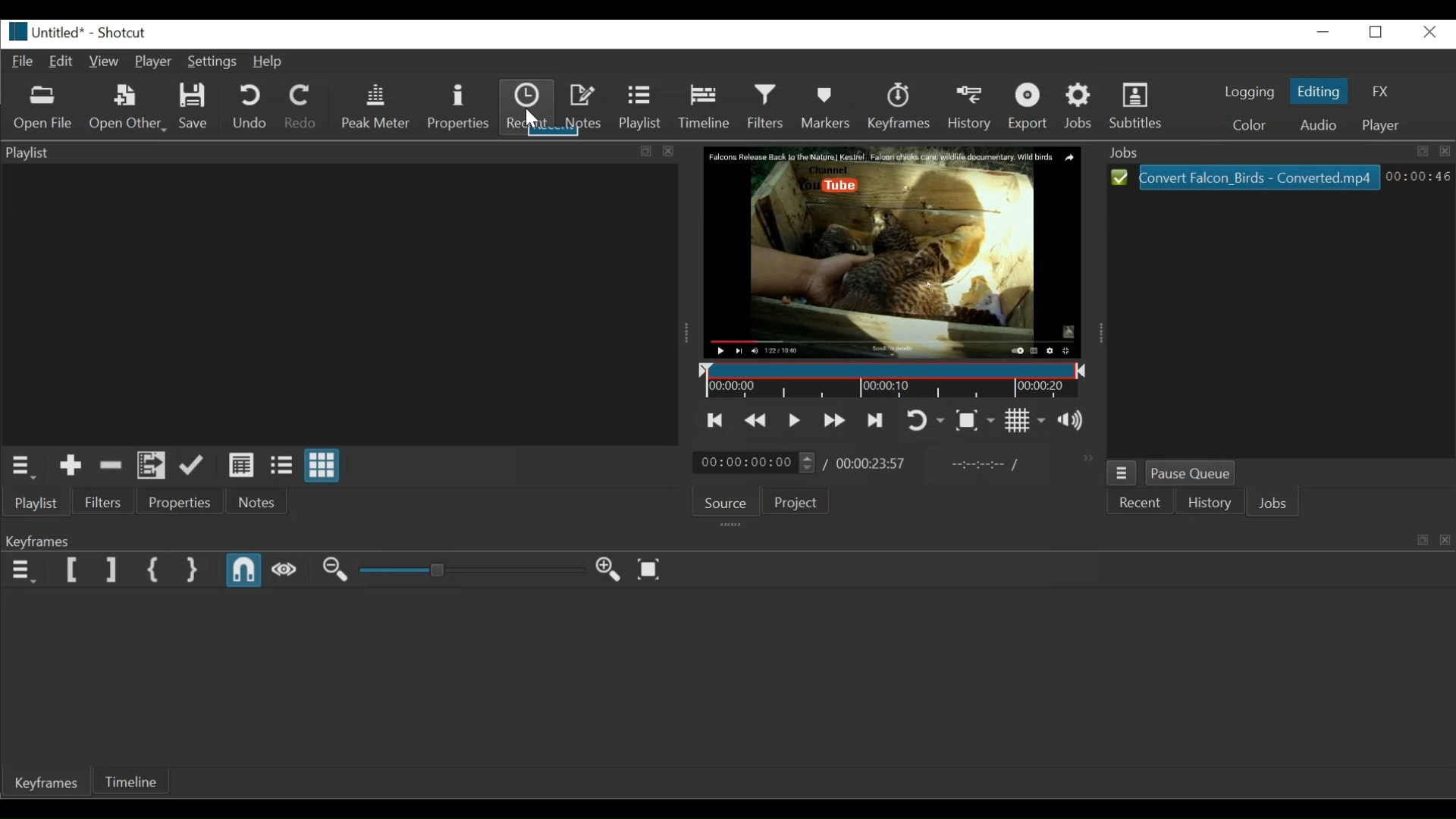 This screenshot has height=819, width=1456. What do you see at coordinates (707, 106) in the screenshot?
I see `Timeline` at bounding box center [707, 106].